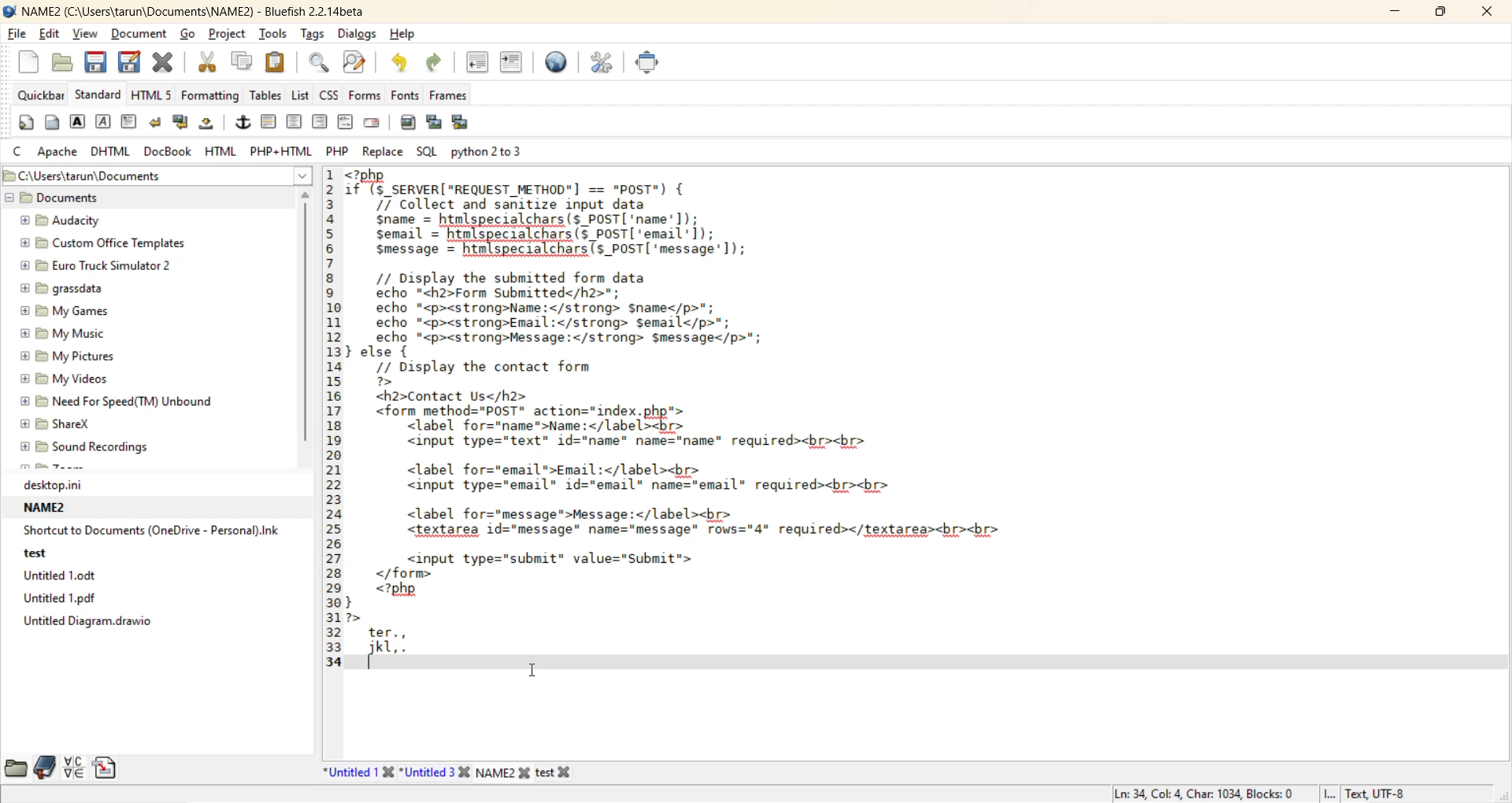 This screenshot has width=1512, height=803. What do you see at coordinates (78, 122) in the screenshot?
I see `strong` at bounding box center [78, 122].